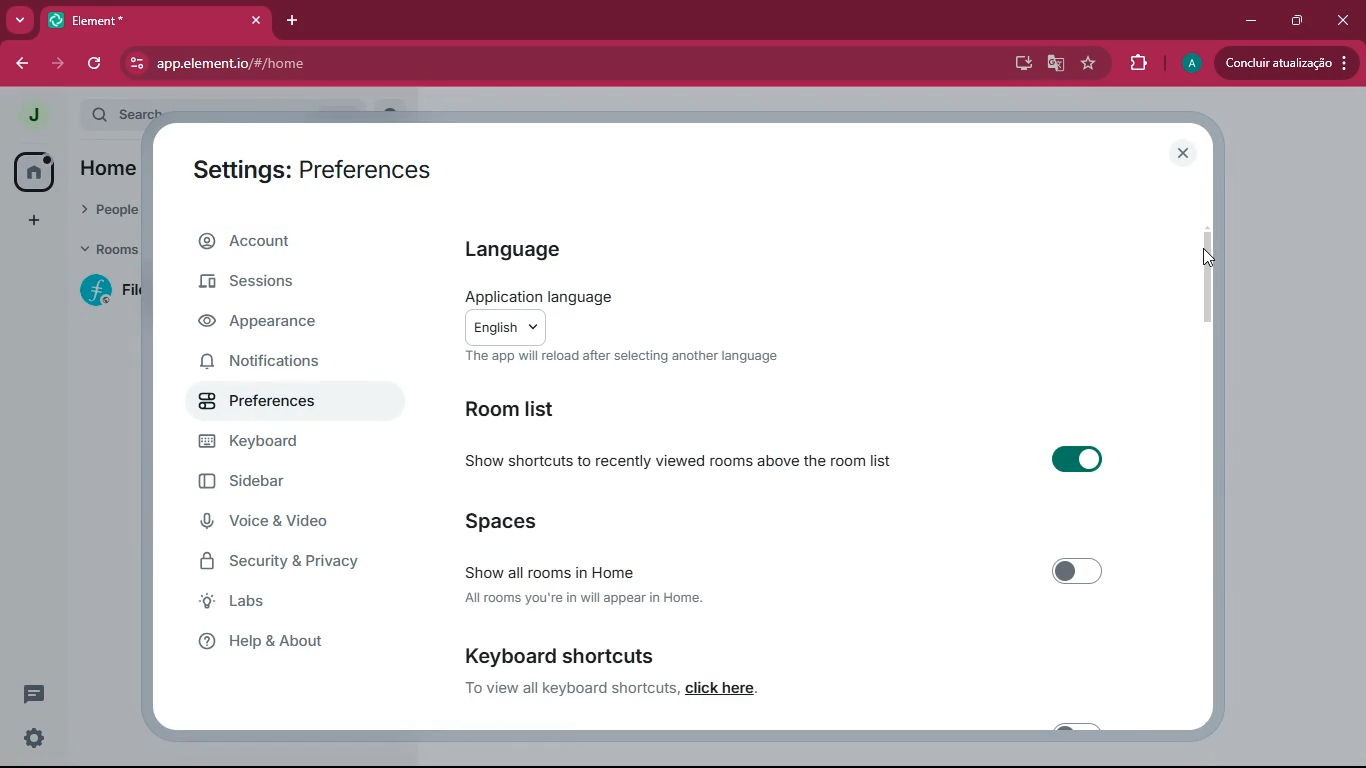 The image size is (1366, 768). Describe the element at coordinates (293, 526) in the screenshot. I see `voice` at that location.